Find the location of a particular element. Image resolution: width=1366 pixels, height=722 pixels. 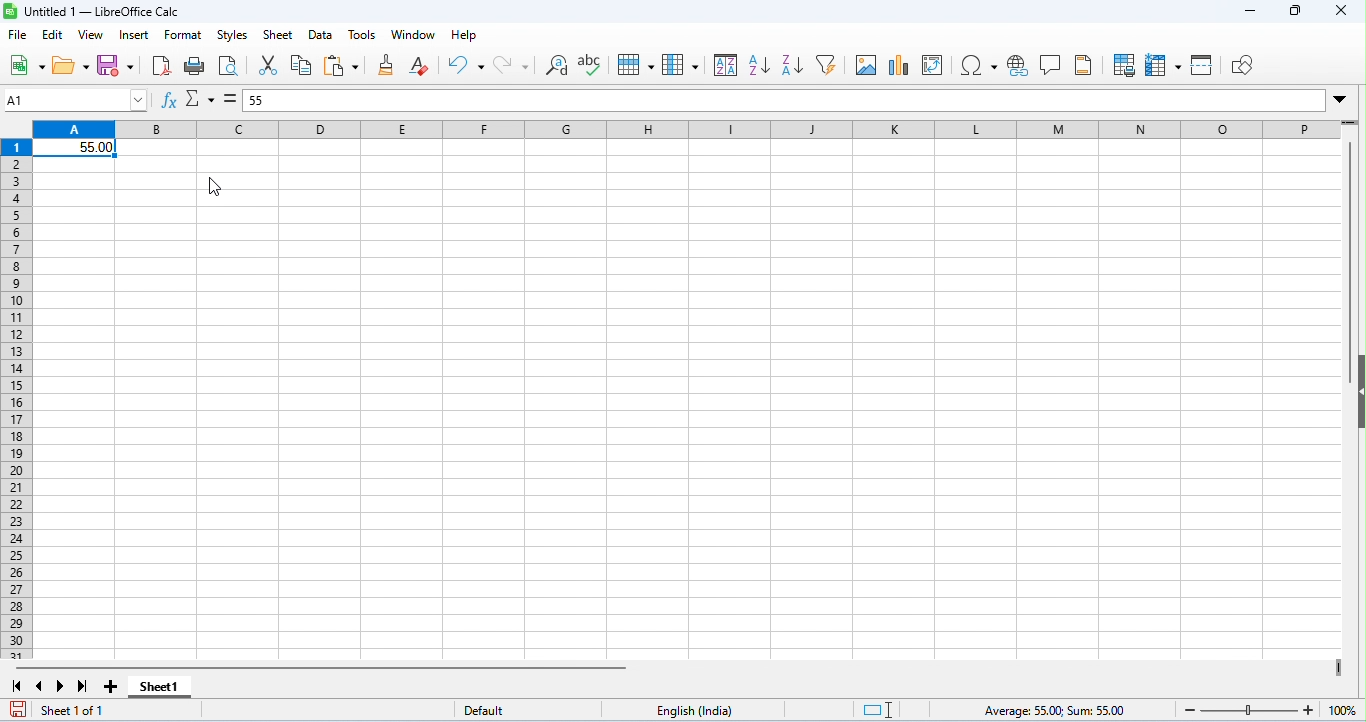

insert image is located at coordinates (867, 66).